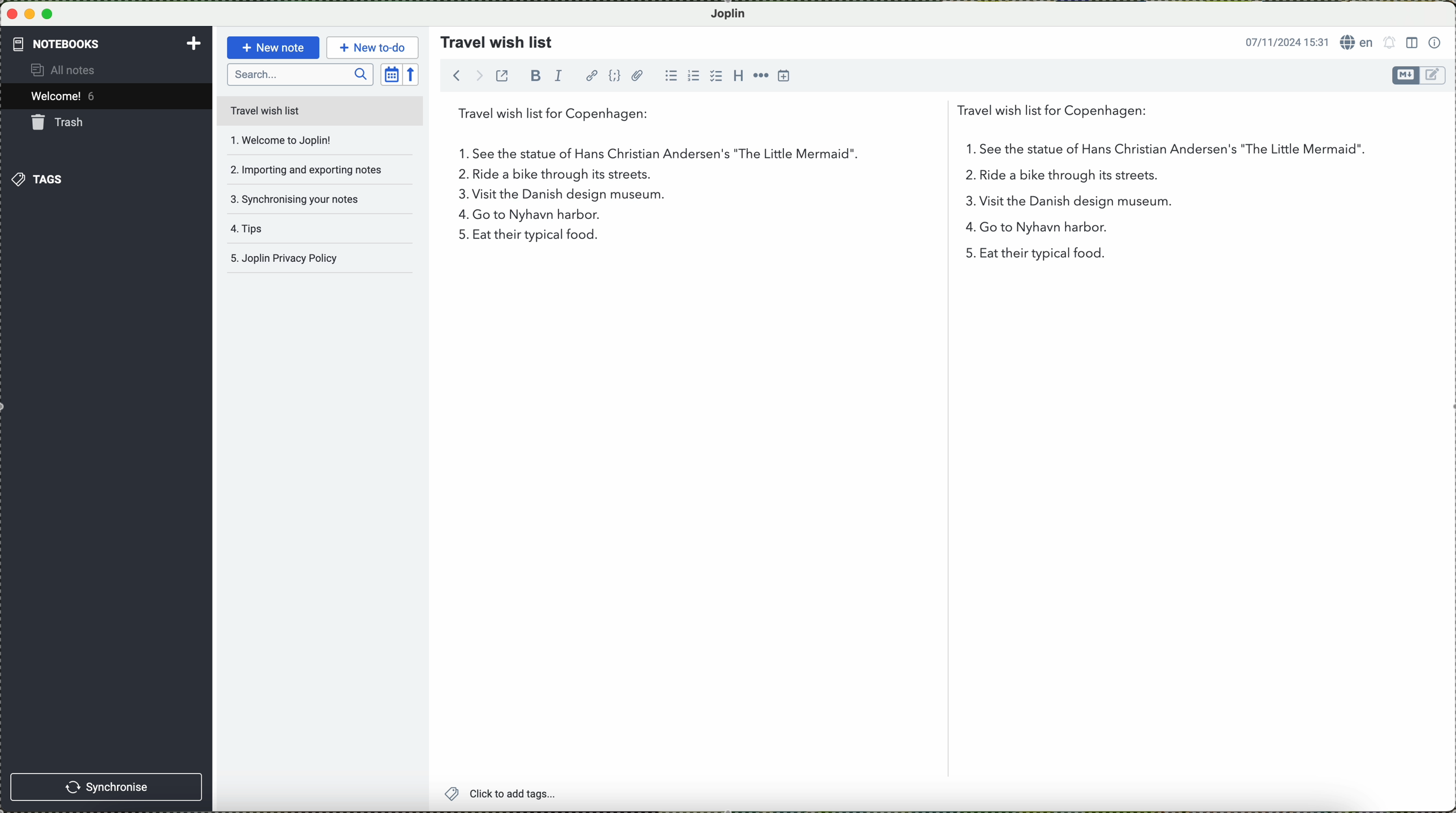 The height and width of the screenshot is (813, 1456). Describe the element at coordinates (66, 98) in the screenshot. I see `welcome 5` at that location.